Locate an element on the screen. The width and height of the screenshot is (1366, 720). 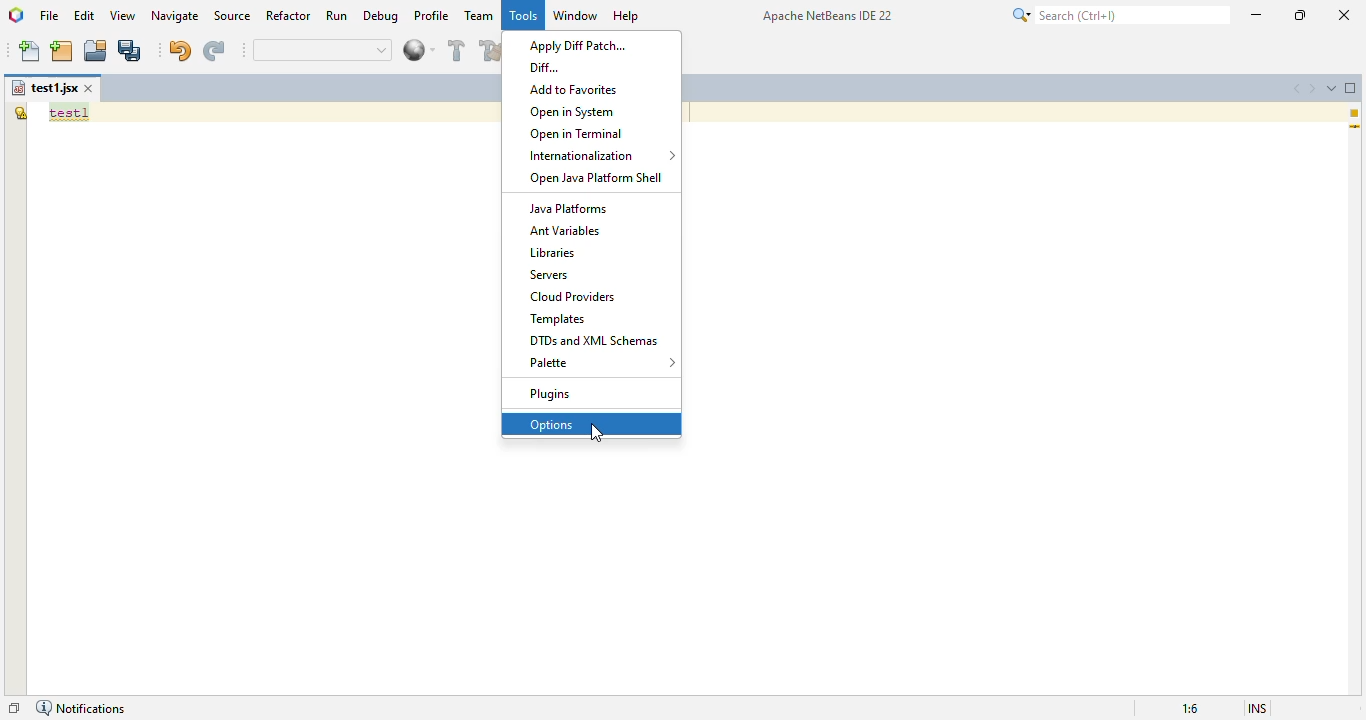
search is located at coordinates (1117, 15).